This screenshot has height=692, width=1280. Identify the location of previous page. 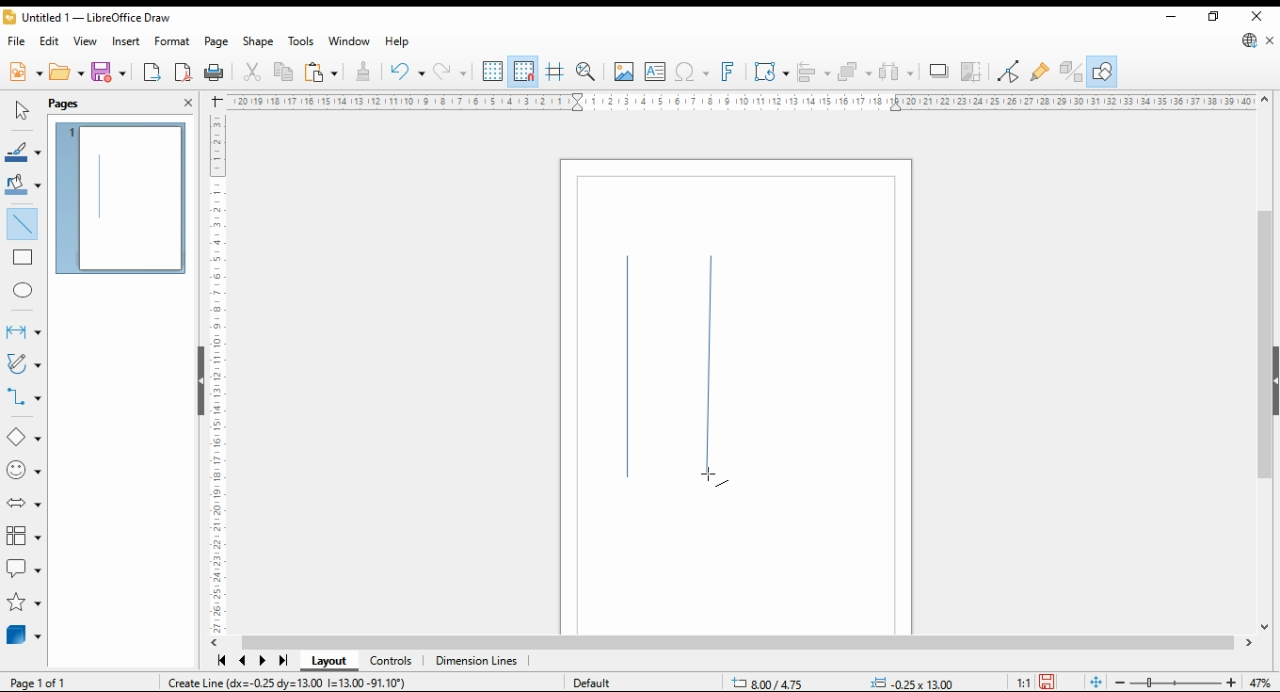
(244, 662).